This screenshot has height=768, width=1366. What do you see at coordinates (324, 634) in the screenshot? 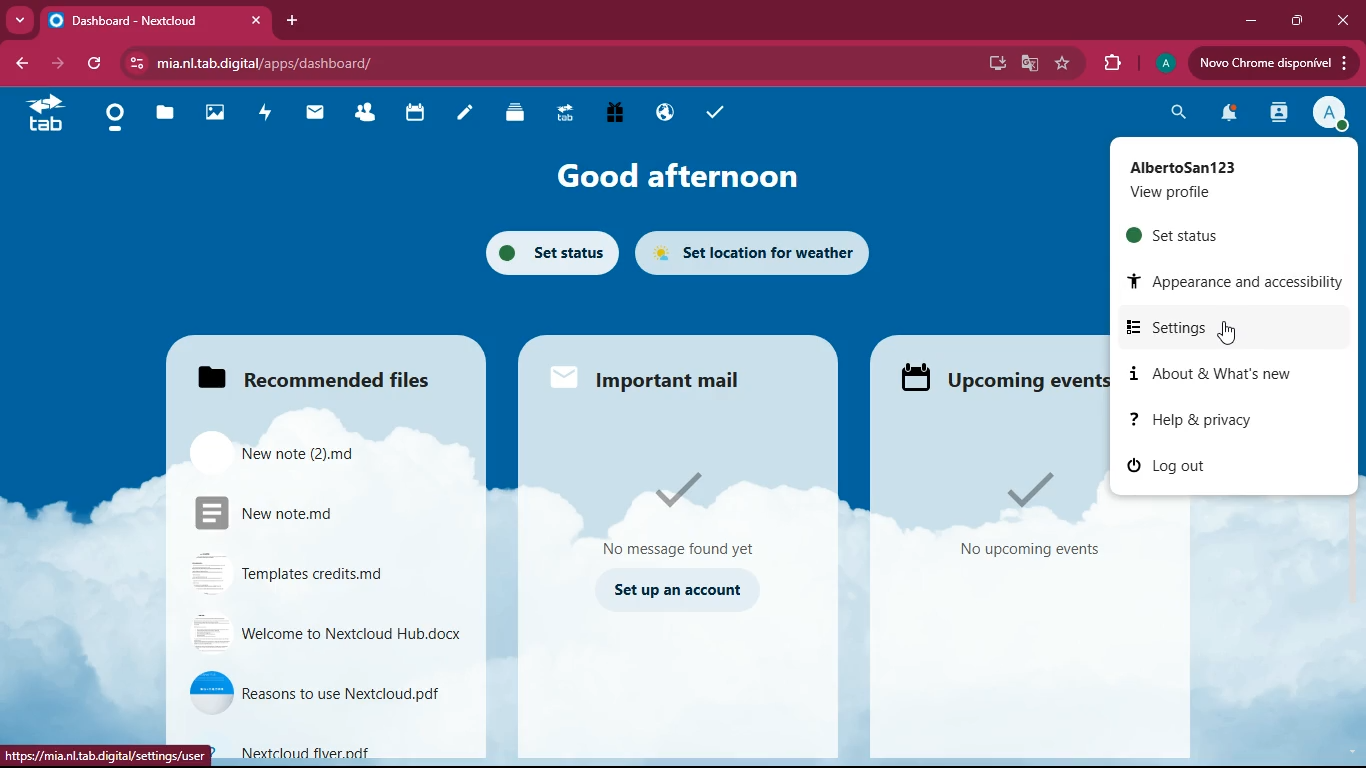
I see `file` at bounding box center [324, 634].